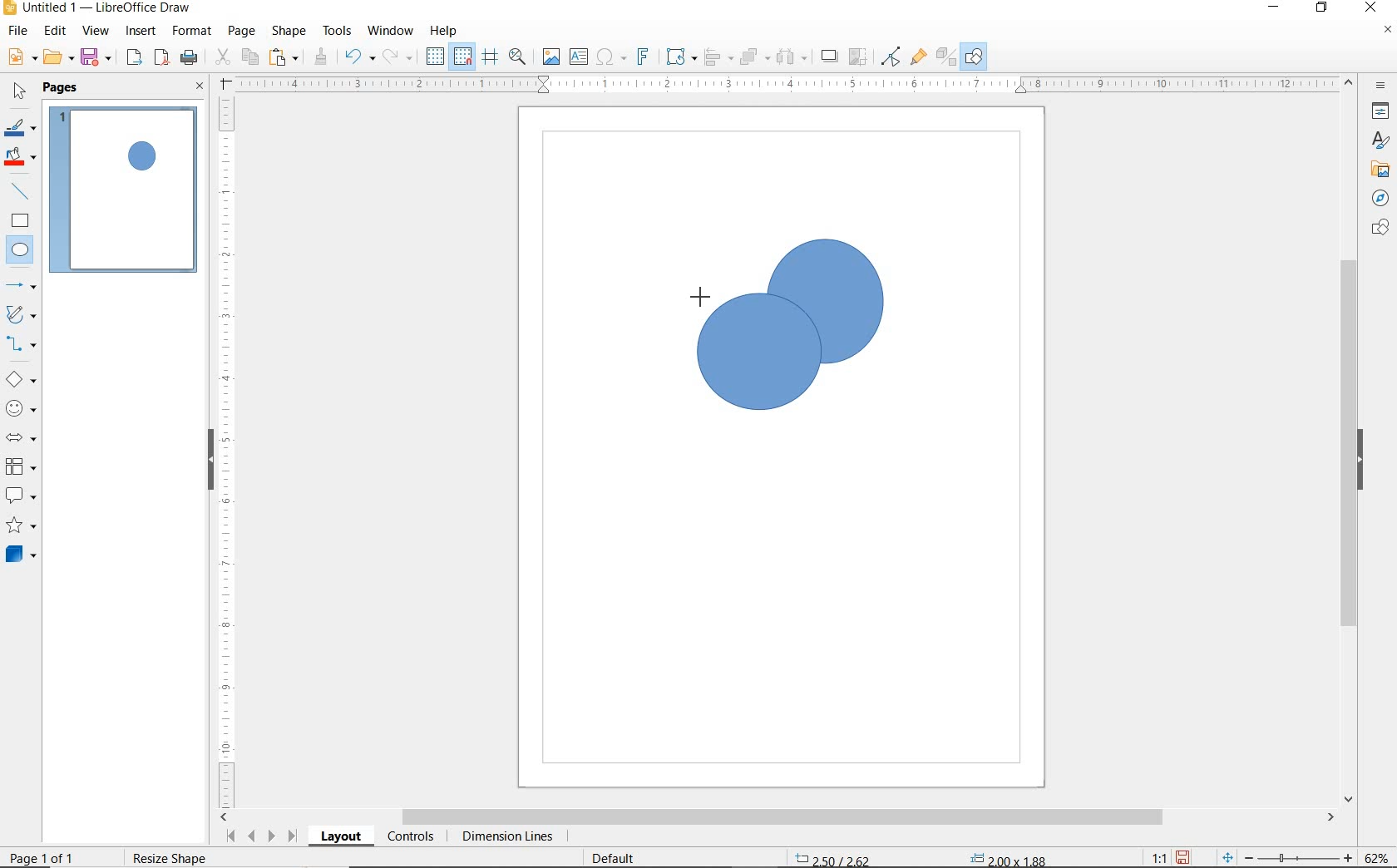 This screenshot has width=1397, height=868. What do you see at coordinates (946, 58) in the screenshot?
I see `TOGGLE EXTRUSION` at bounding box center [946, 58].